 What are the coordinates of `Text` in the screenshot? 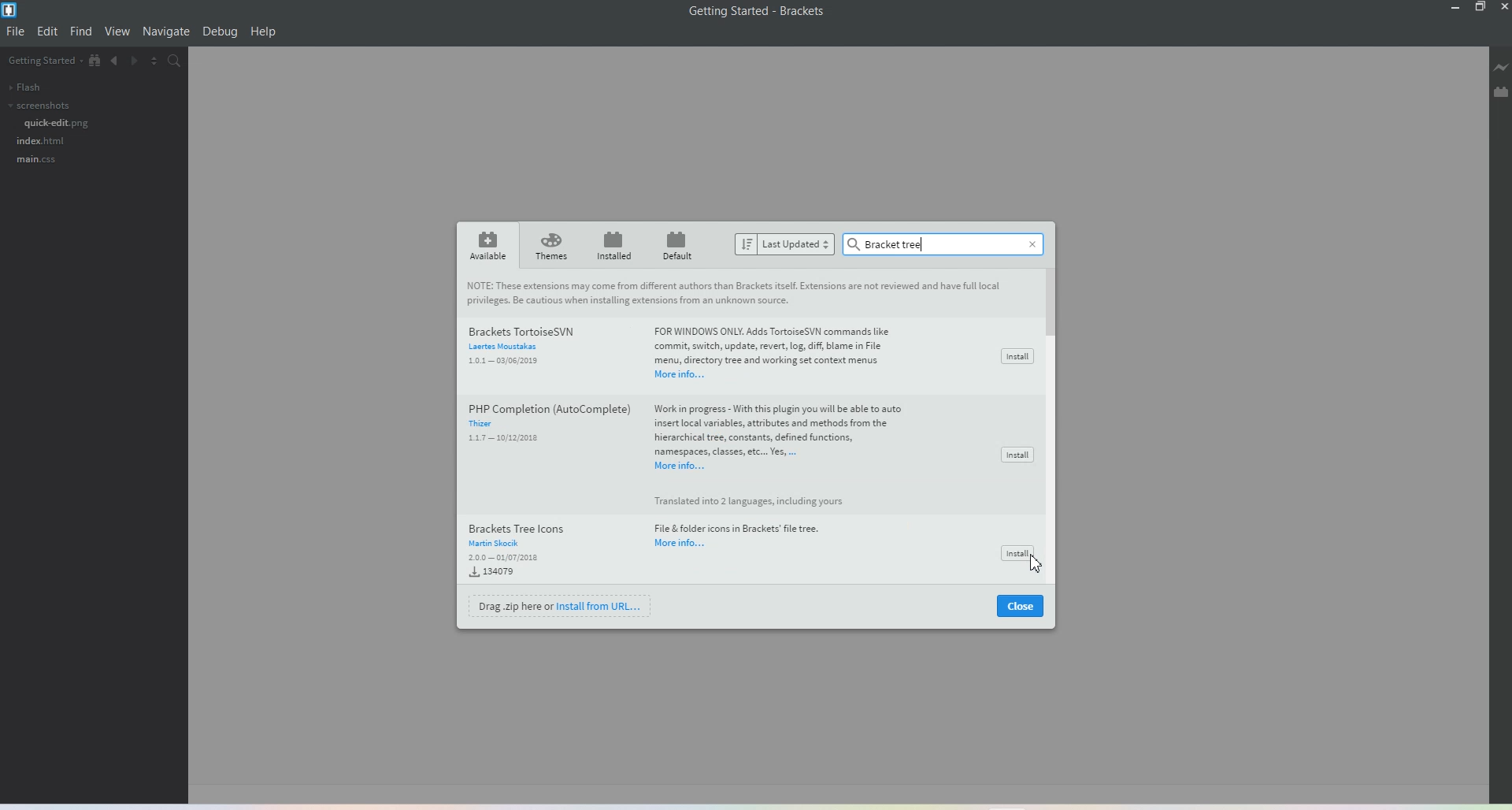 It's located at (758, 11).